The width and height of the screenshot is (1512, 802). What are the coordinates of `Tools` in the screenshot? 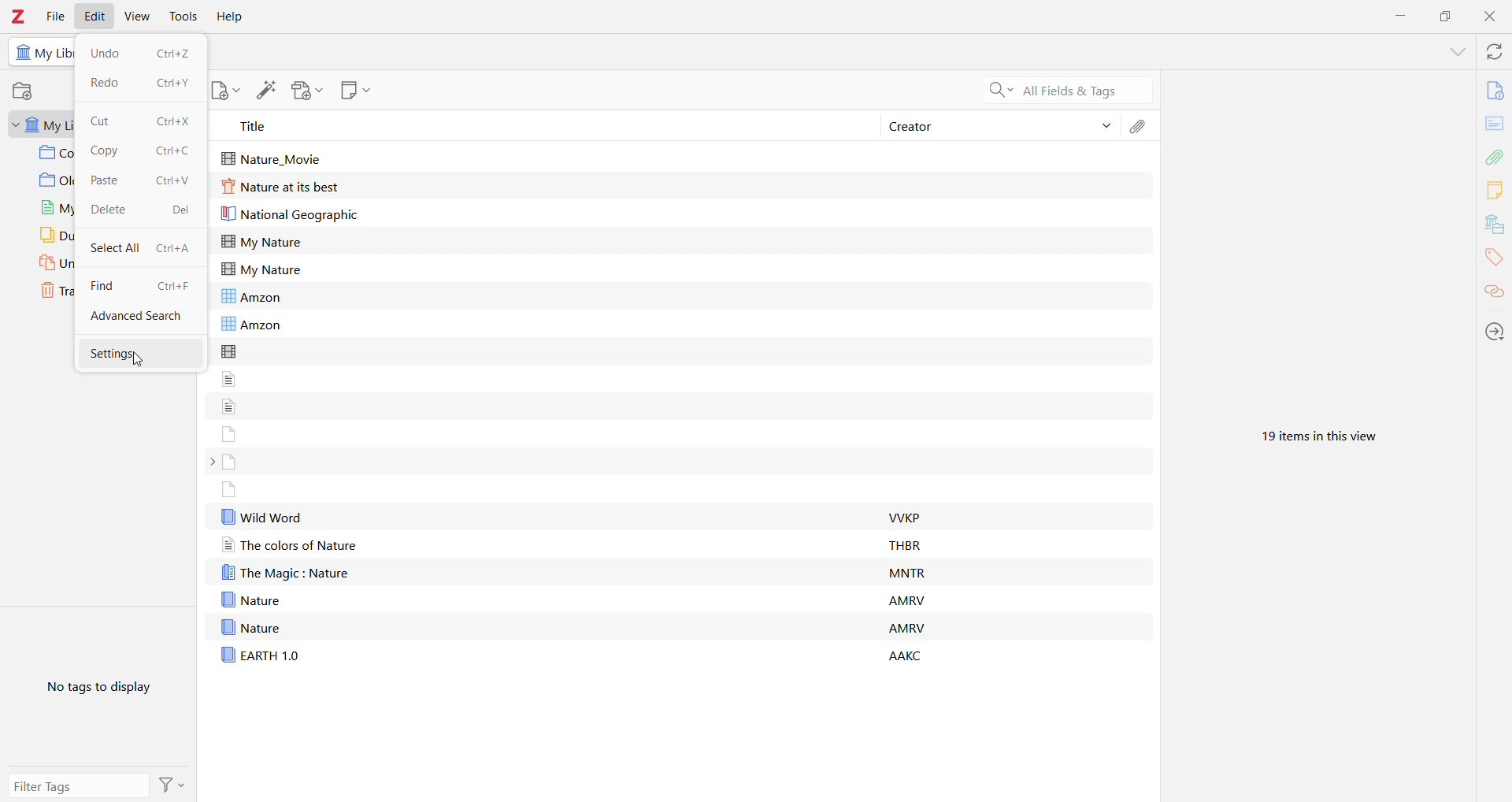 It's located at (183, 16).